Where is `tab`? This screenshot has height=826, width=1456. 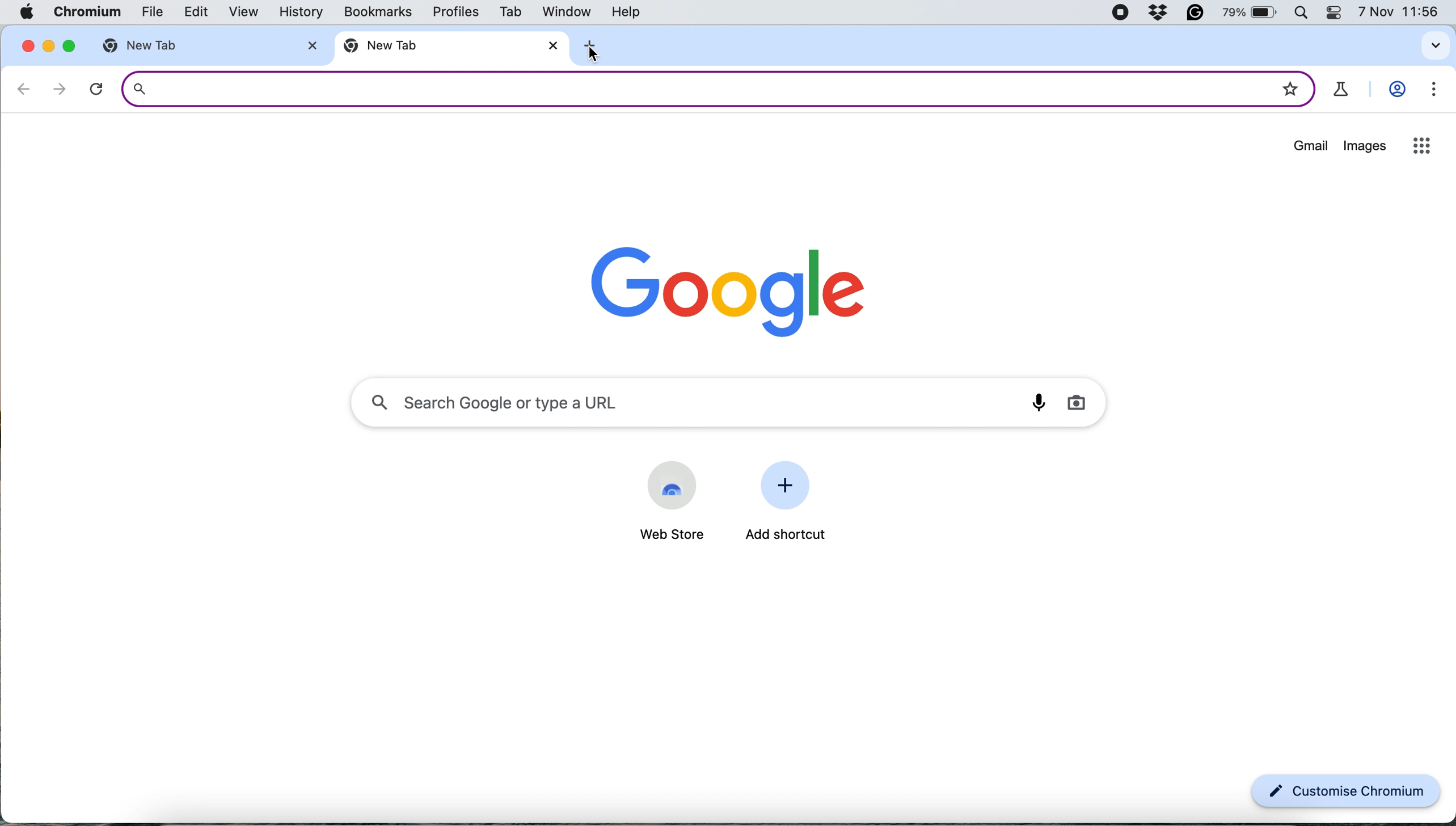 tab is located at coordinates (508, 14).